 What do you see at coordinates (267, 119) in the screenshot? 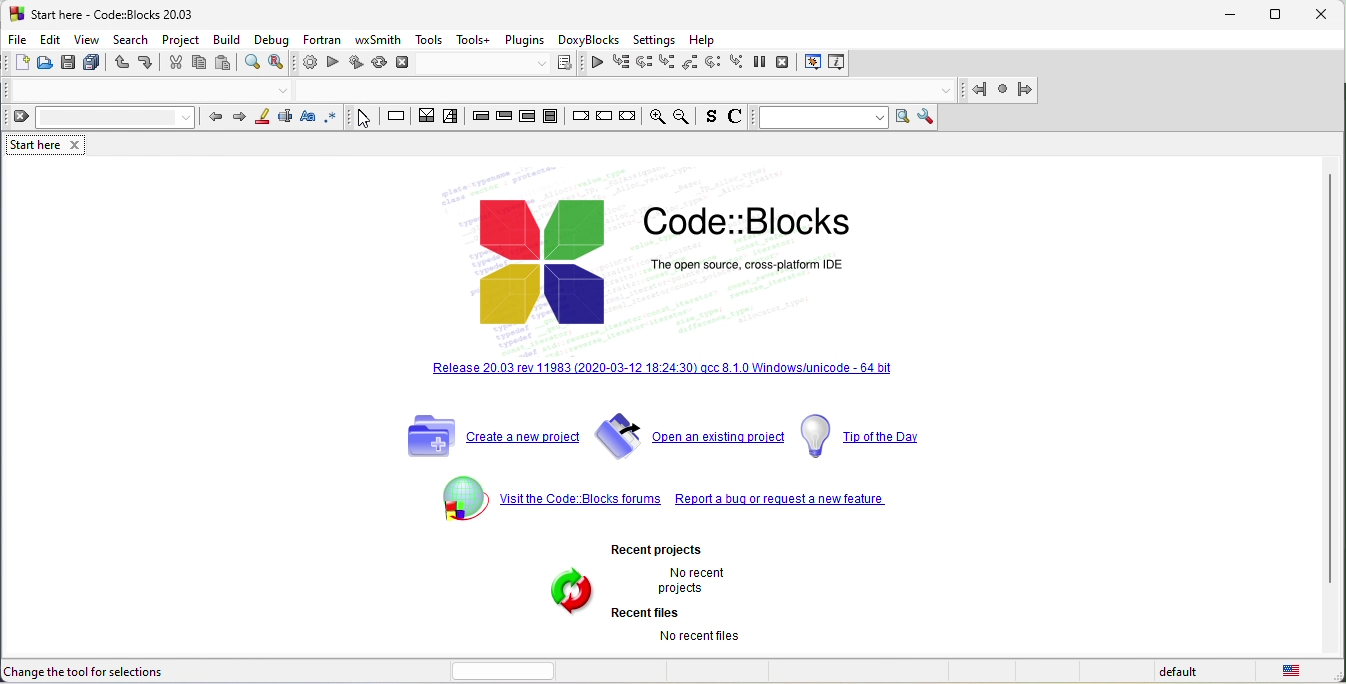
I see `highlight` at bounding box center [267, 119].